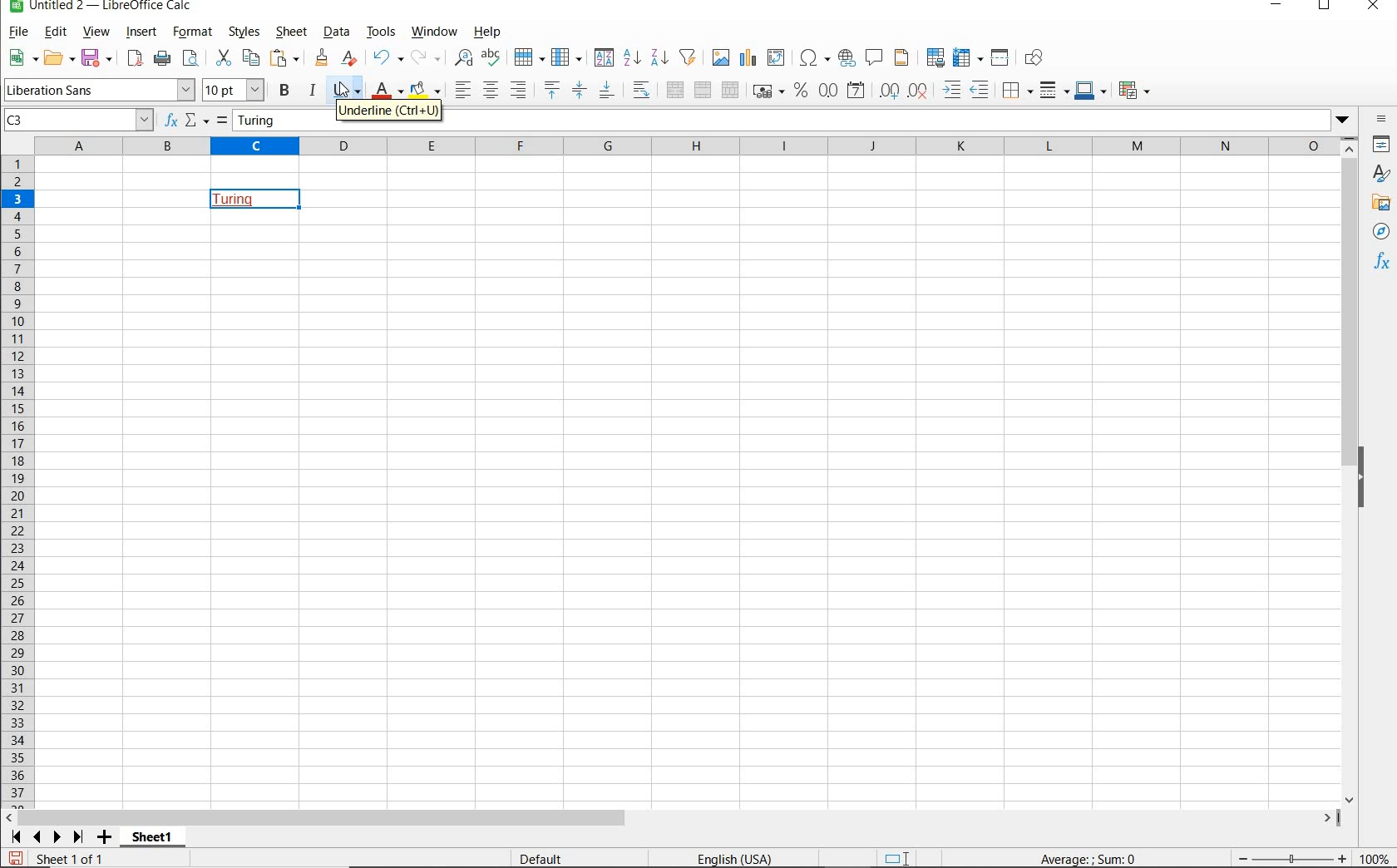 This screenshot has width=1397, height=868. Describe the element at coordinates (285, 60) in the screenshot. I see `PASTE` at that location.